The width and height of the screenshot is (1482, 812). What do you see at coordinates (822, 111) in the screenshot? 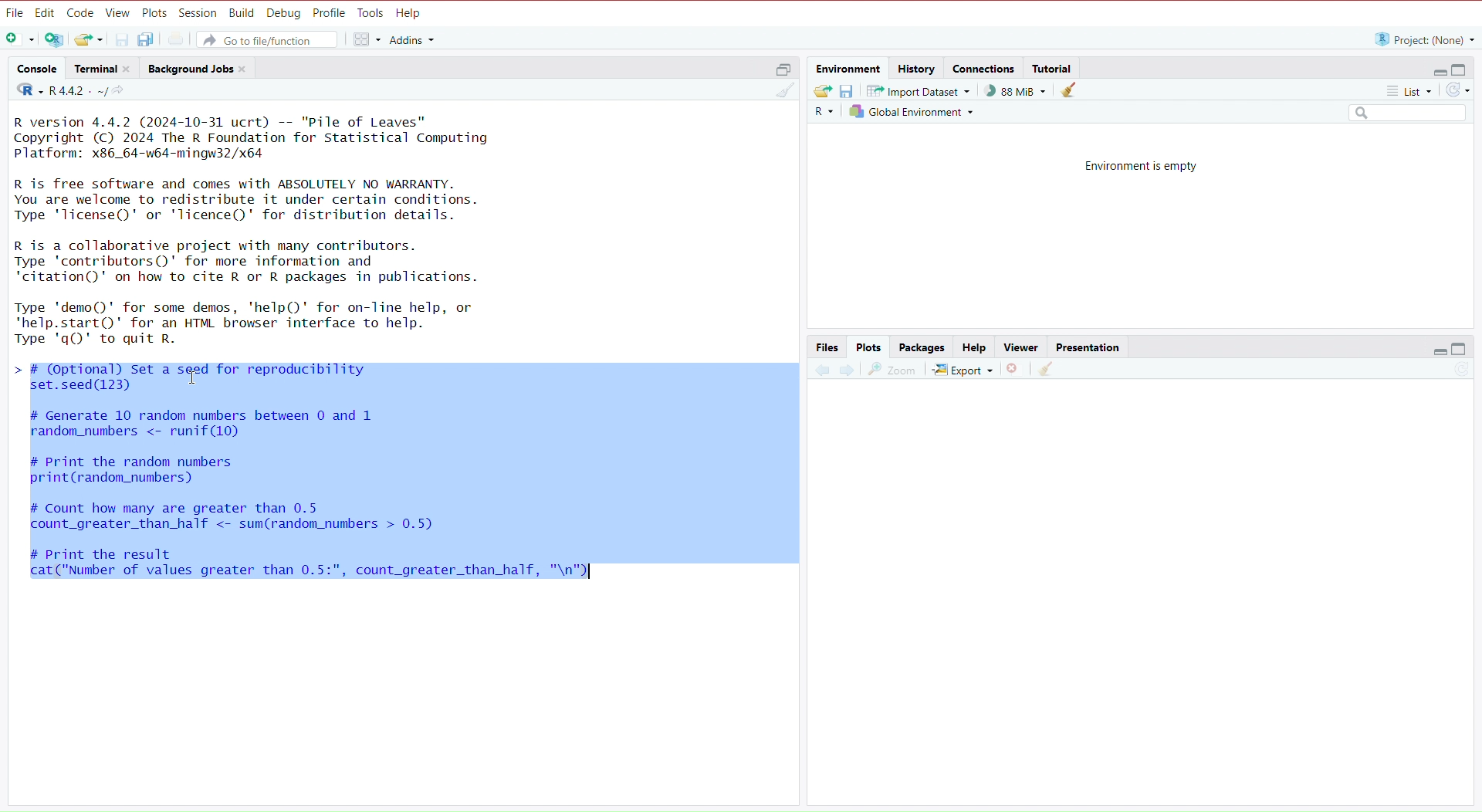
I see `R` at bounding box center [822, 111].